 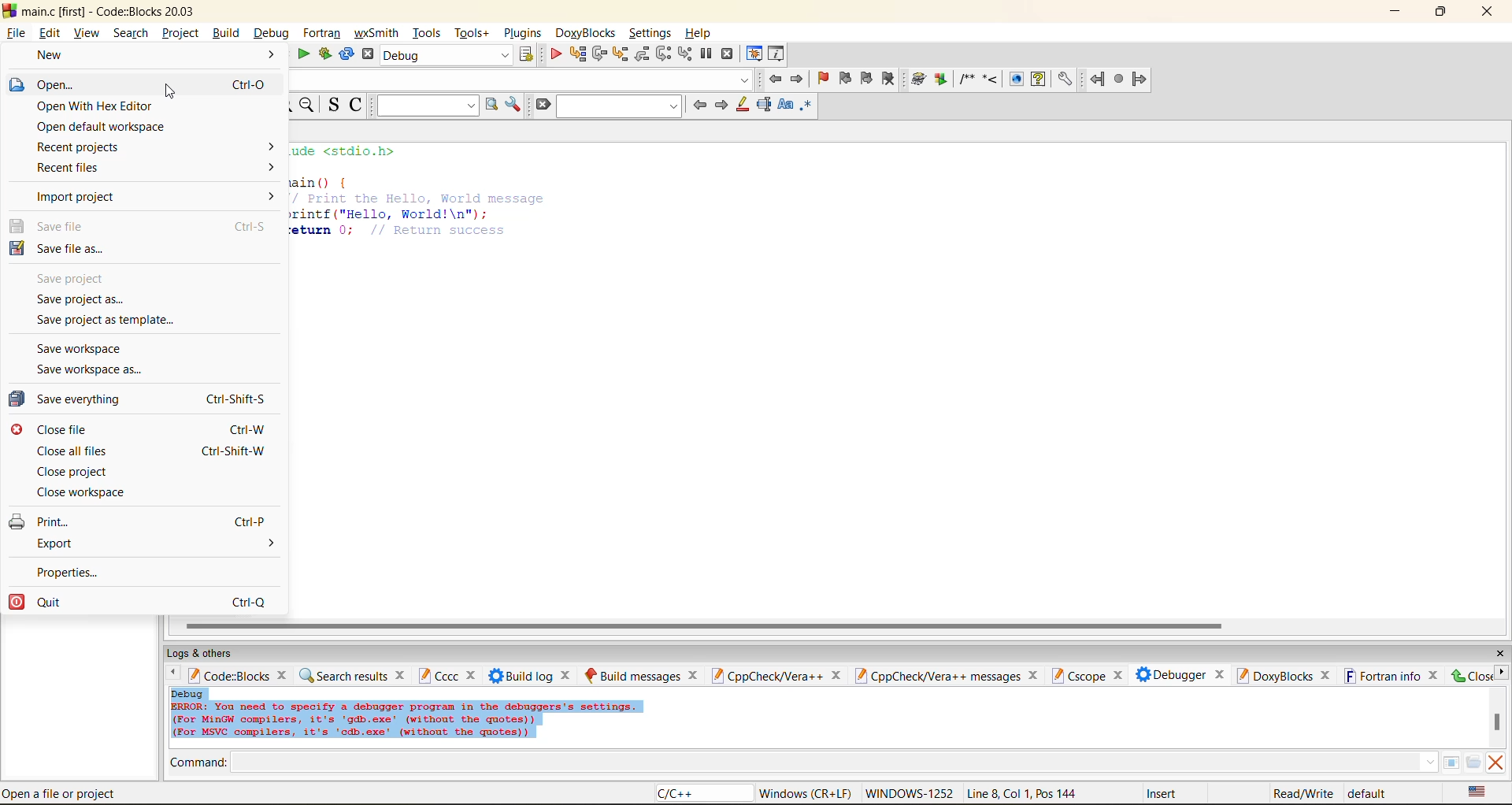 I want to click on tools, so click(x=428, y=32).